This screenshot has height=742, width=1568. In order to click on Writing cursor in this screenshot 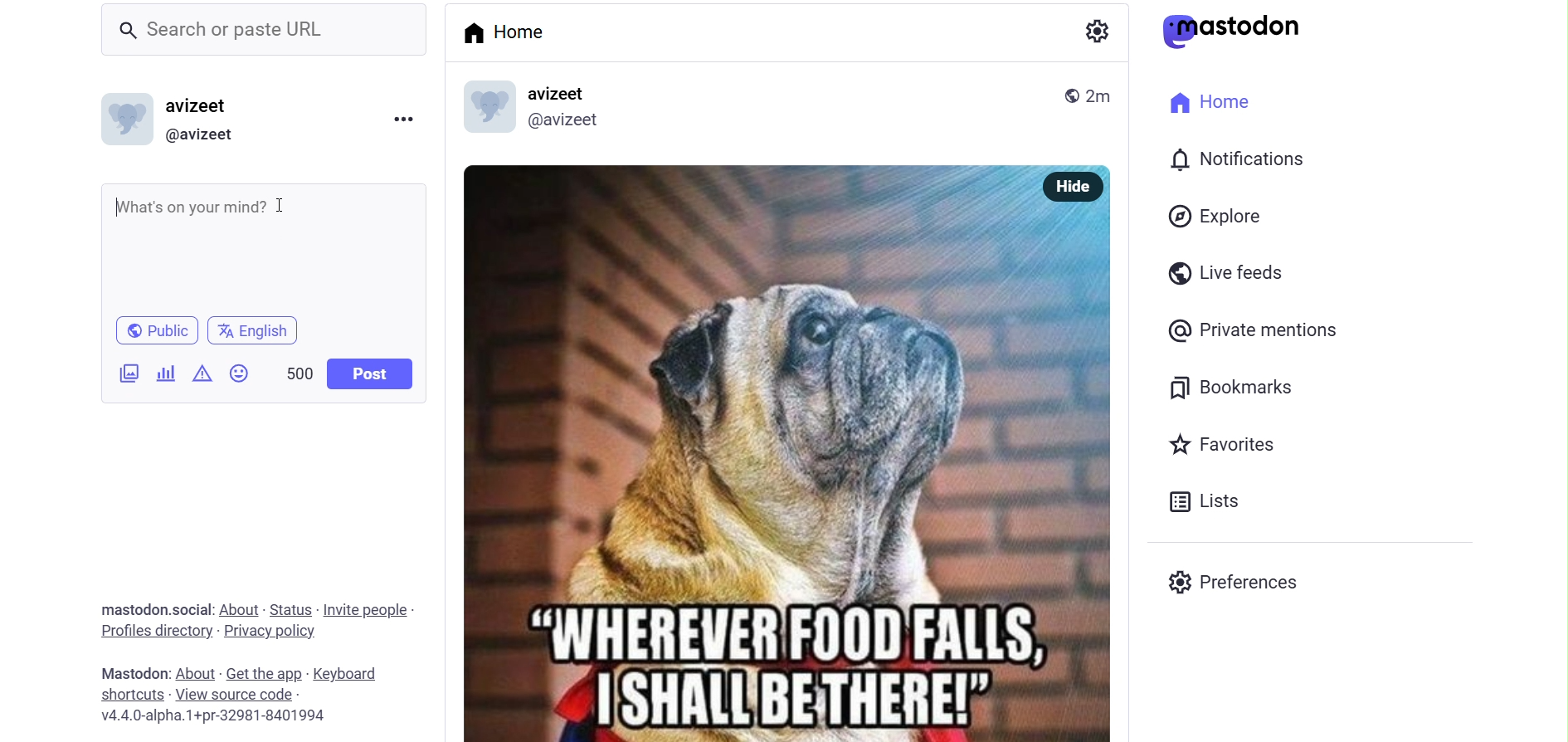, I will do `click(115, 207)`.